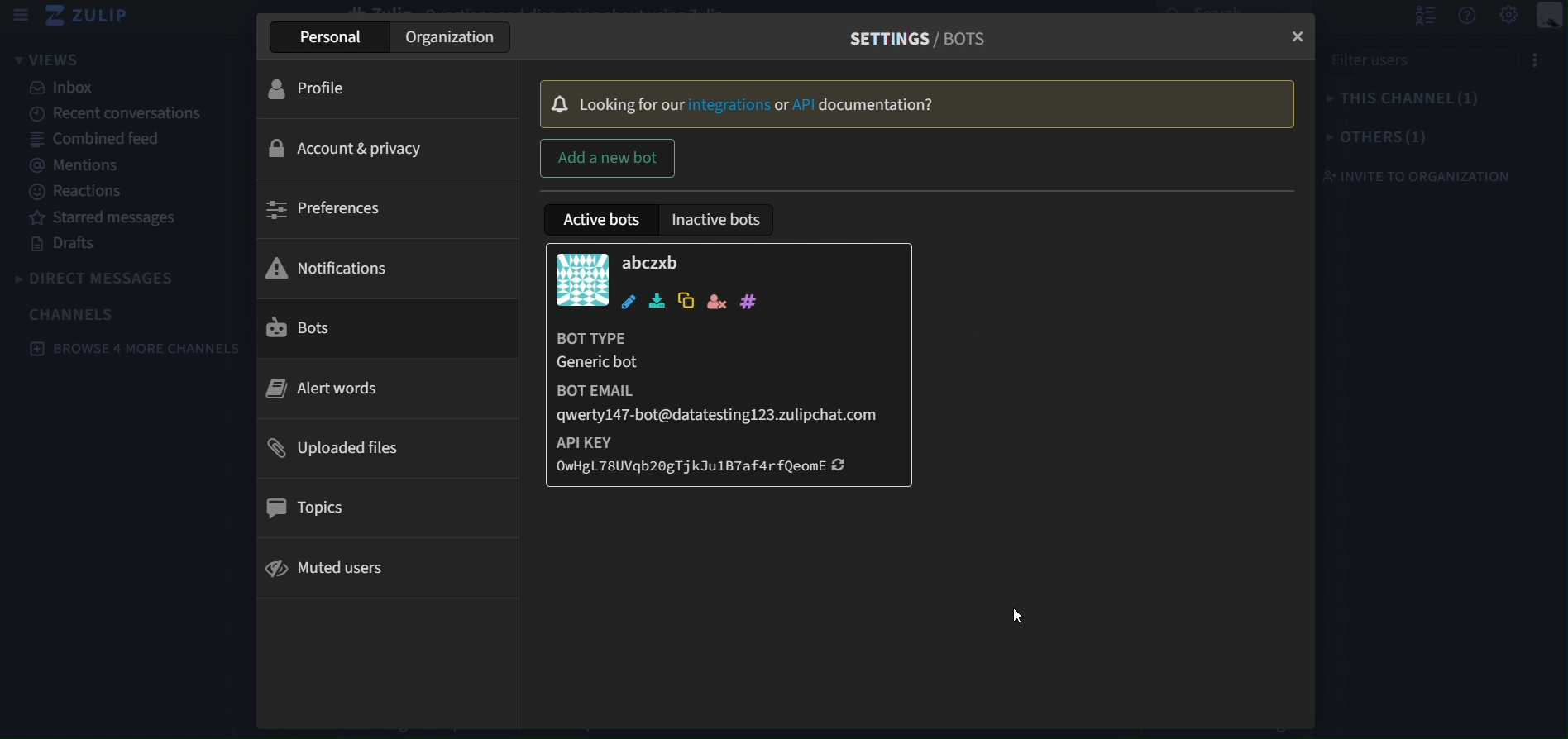 Image resolution: width=1568 pixels, height=739 pixels. I want to click on abczxb, so click(652, 264).